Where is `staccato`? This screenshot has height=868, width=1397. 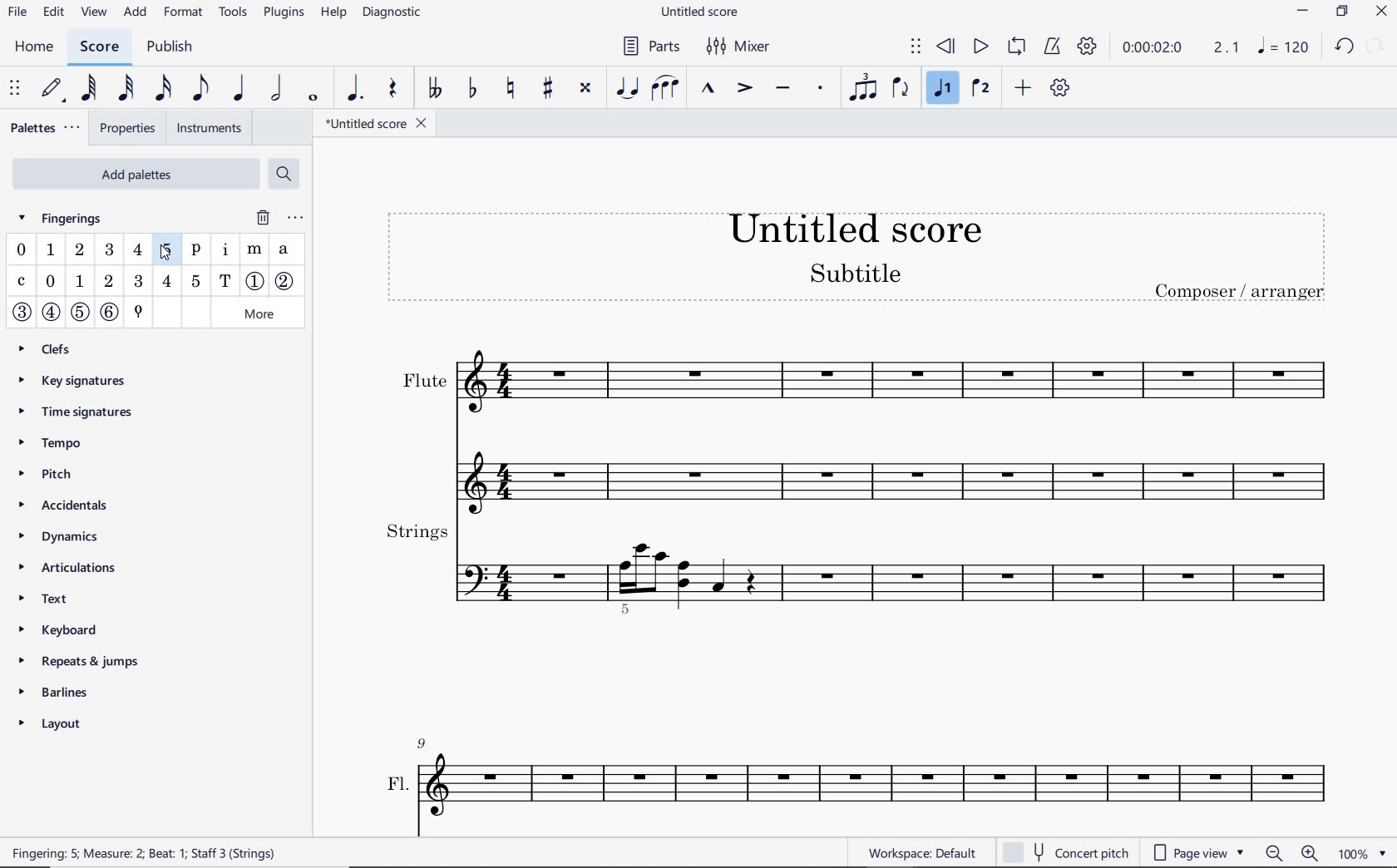
staccato is located at coordinates (822, 89).